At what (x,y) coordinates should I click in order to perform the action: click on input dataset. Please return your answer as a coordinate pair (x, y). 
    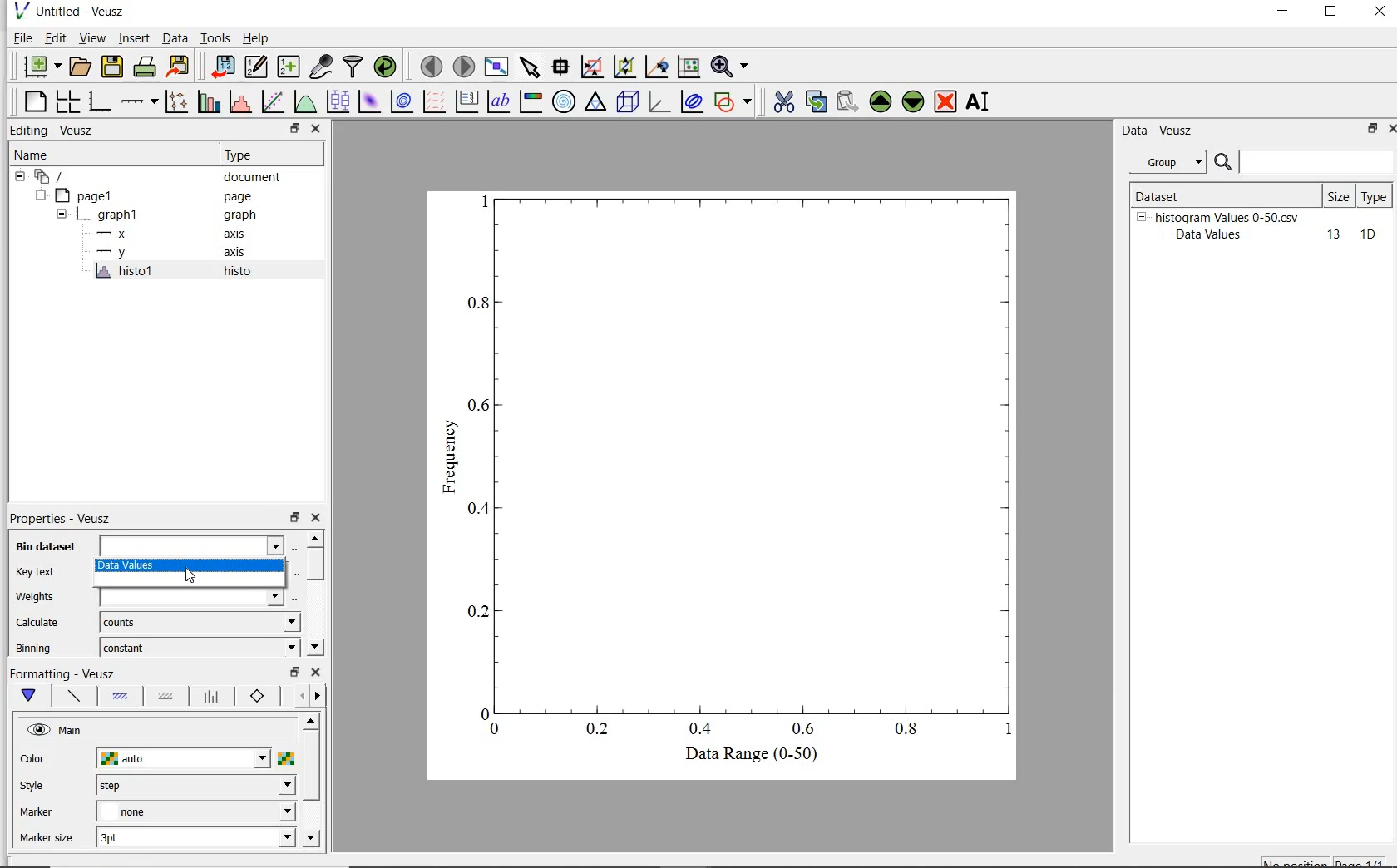
    Looking at the image, I should click on (191, 545).